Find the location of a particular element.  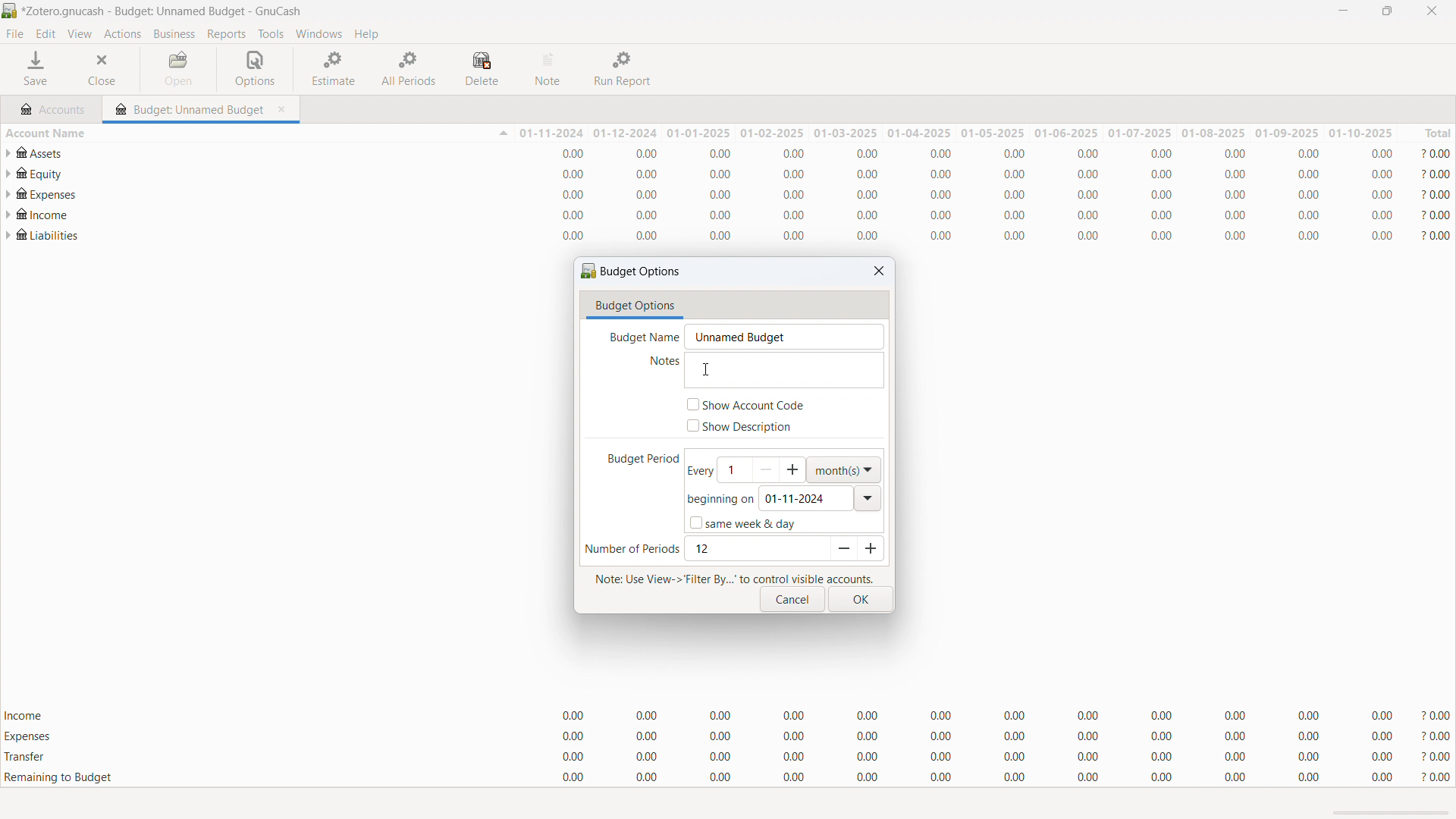

cursor is located at coordinates (704, 369).